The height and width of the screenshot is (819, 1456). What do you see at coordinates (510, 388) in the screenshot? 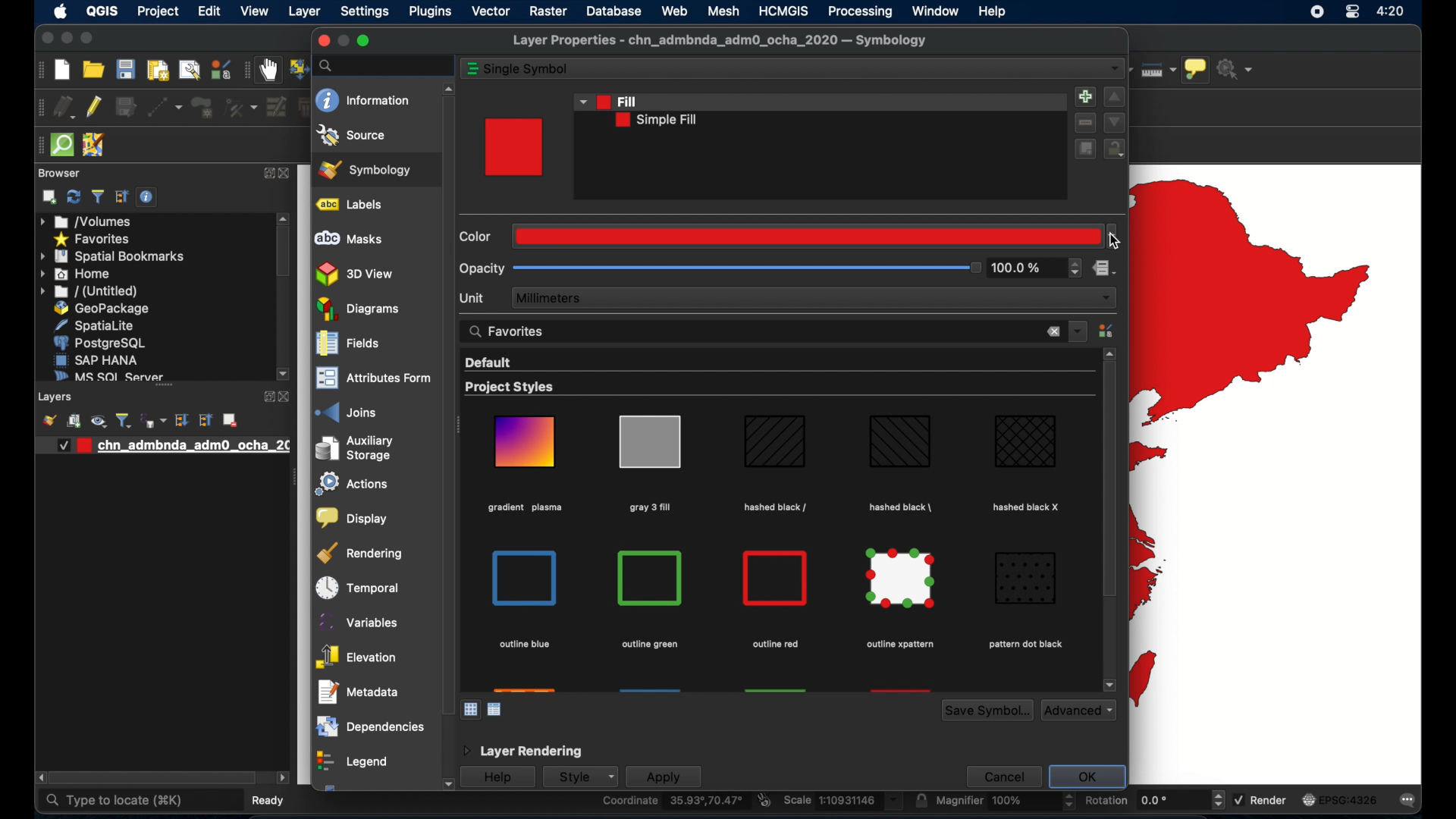
I see `project styles` at bounding box center [510, 388].